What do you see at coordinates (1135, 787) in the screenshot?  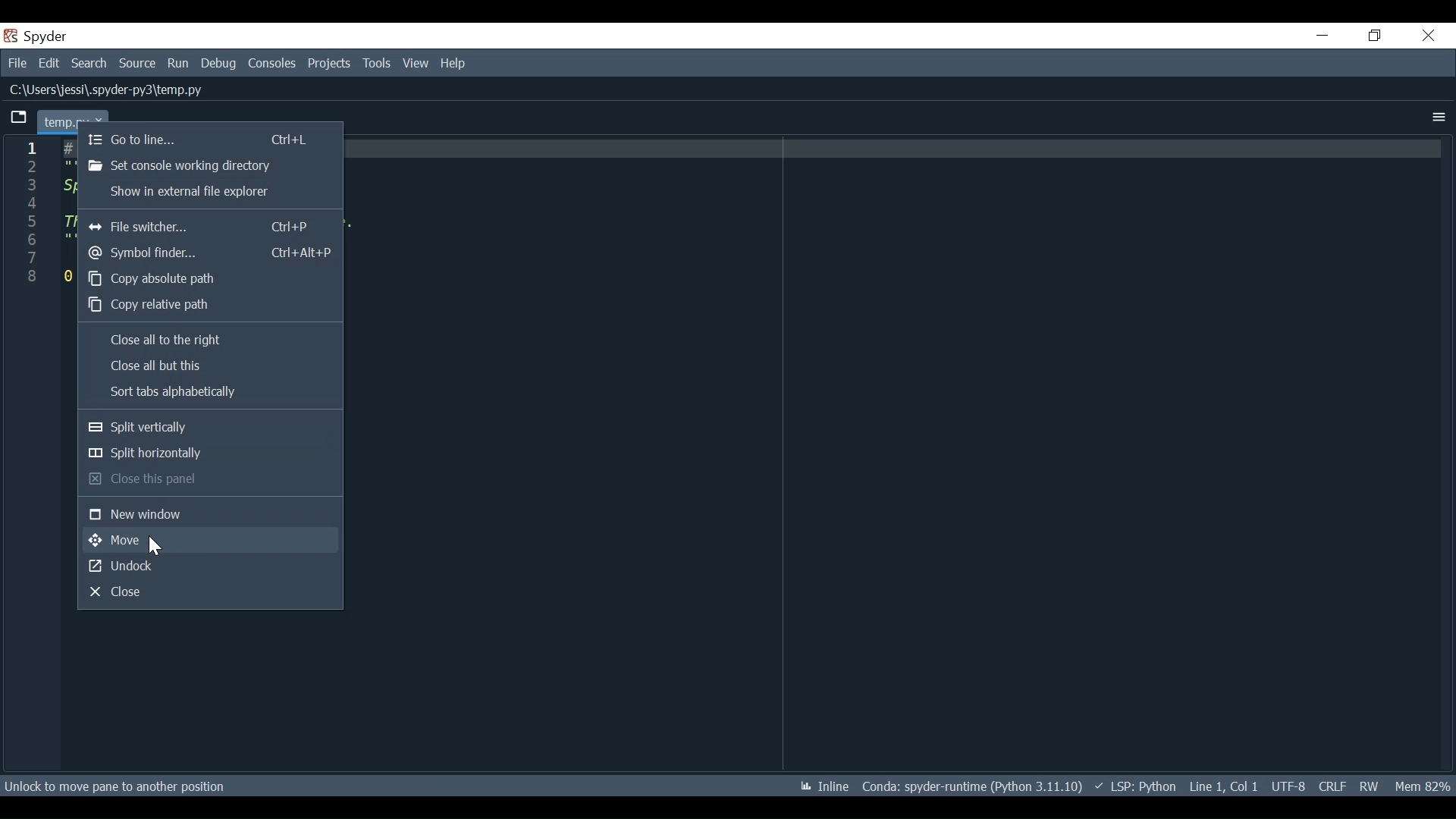 I see `LSP Python` at bounding box center [1135, 787].